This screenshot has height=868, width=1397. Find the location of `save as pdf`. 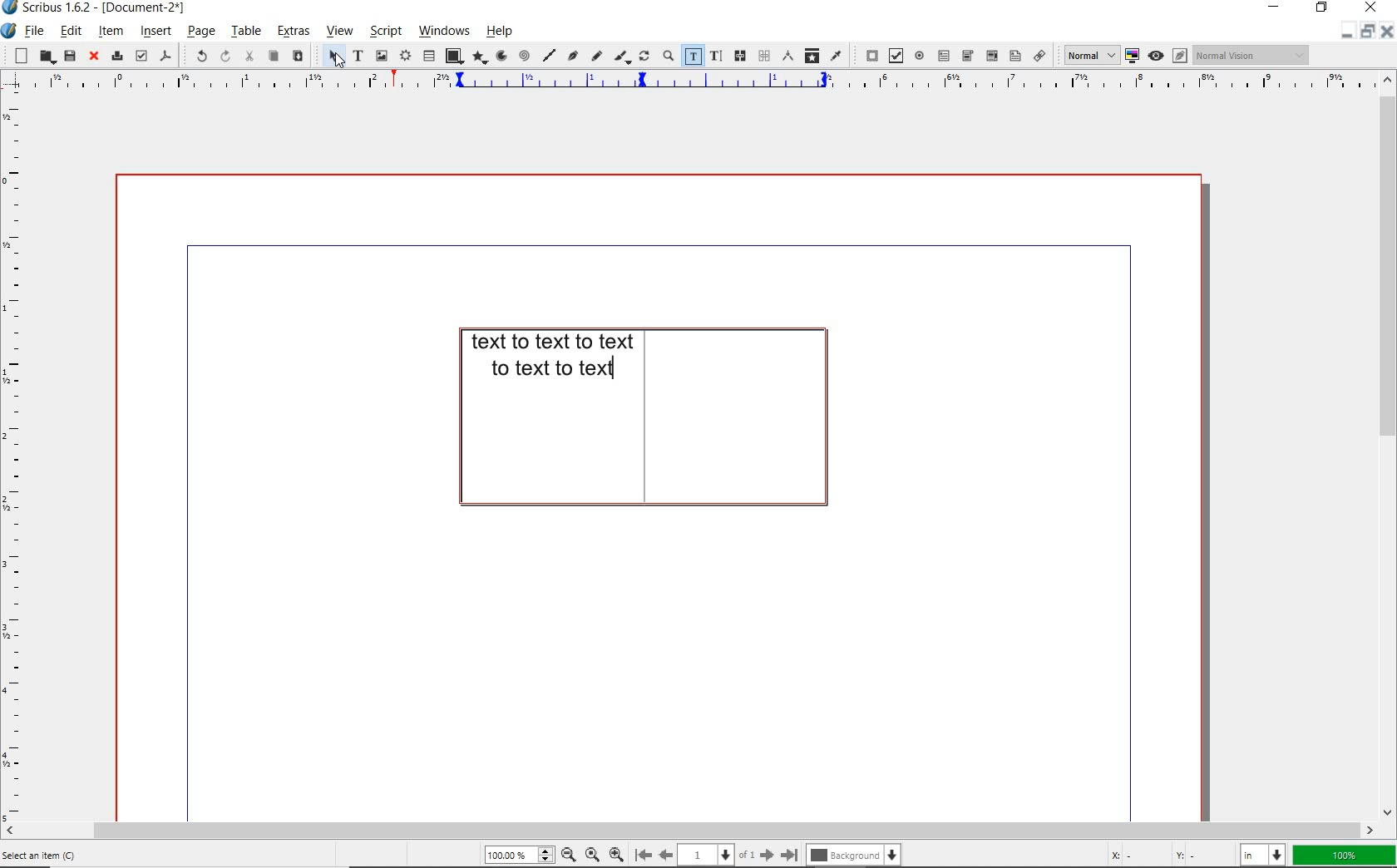

save as pdf is located at coordinates (165, 56).